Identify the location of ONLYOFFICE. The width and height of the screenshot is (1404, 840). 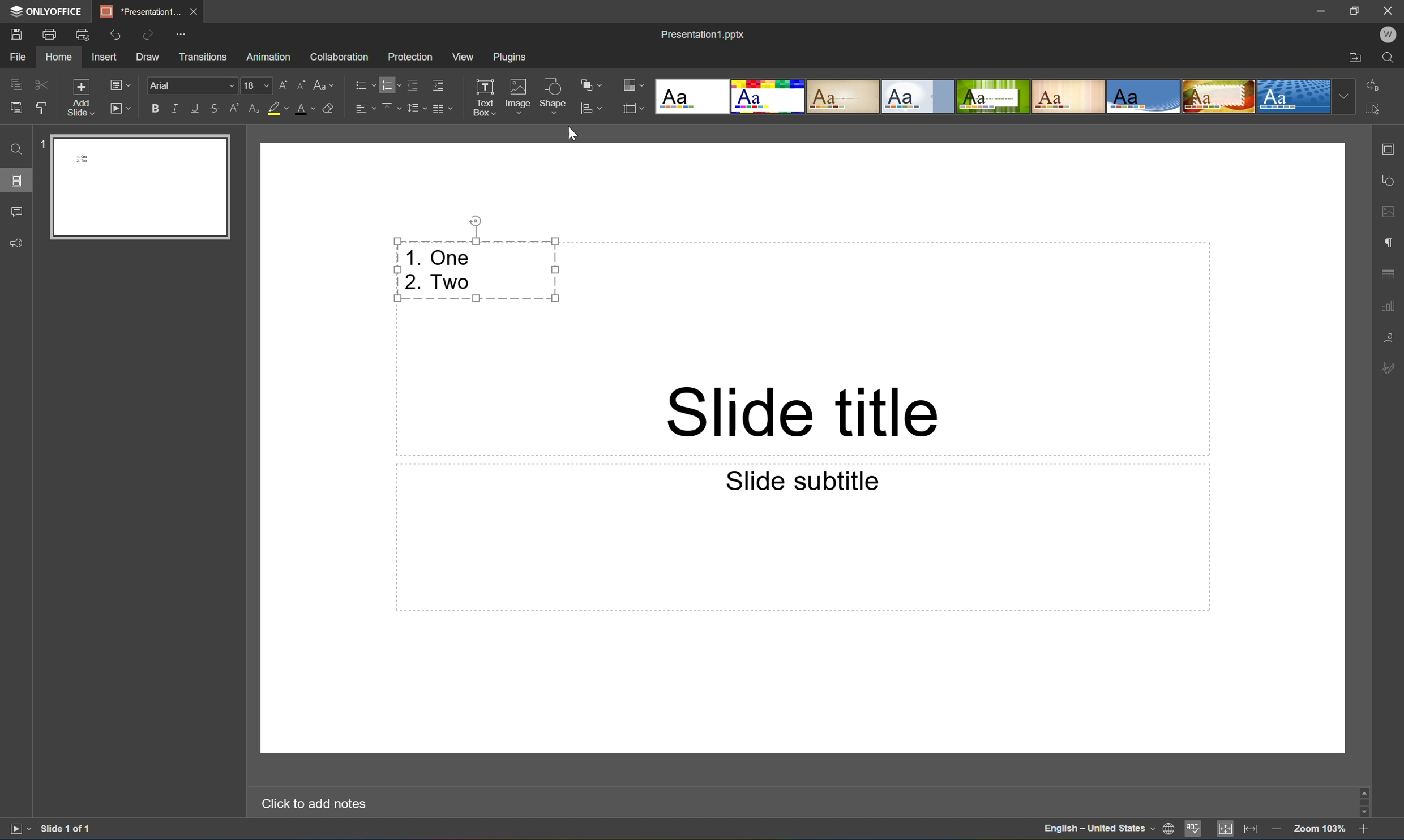
(49, 12).